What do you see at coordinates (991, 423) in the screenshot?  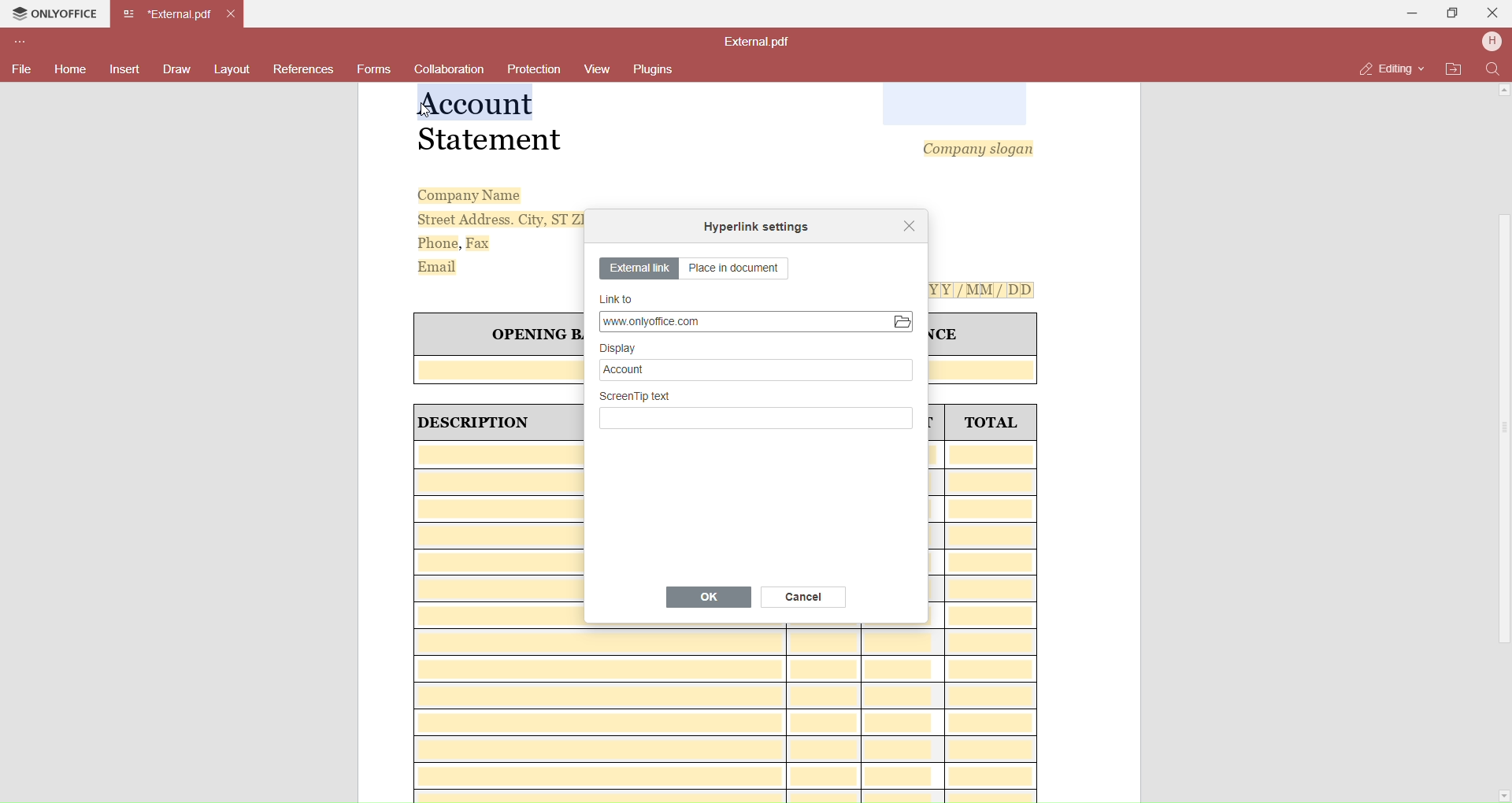 I see `TOTAL` at bounding box center [991, 423].